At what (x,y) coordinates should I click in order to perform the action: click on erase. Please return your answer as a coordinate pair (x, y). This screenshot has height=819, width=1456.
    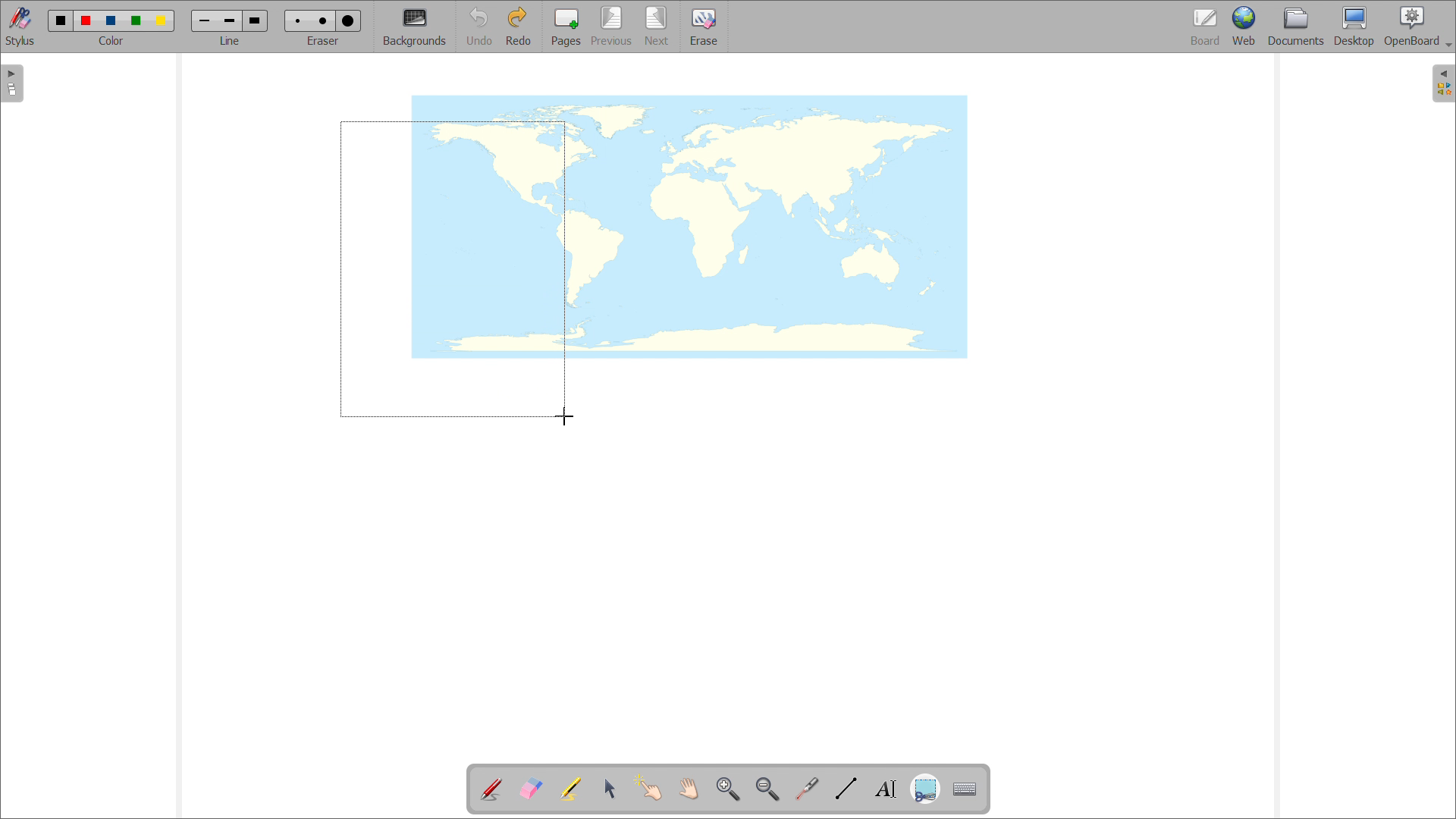
    Looking at the image, I should click on (704, 27).